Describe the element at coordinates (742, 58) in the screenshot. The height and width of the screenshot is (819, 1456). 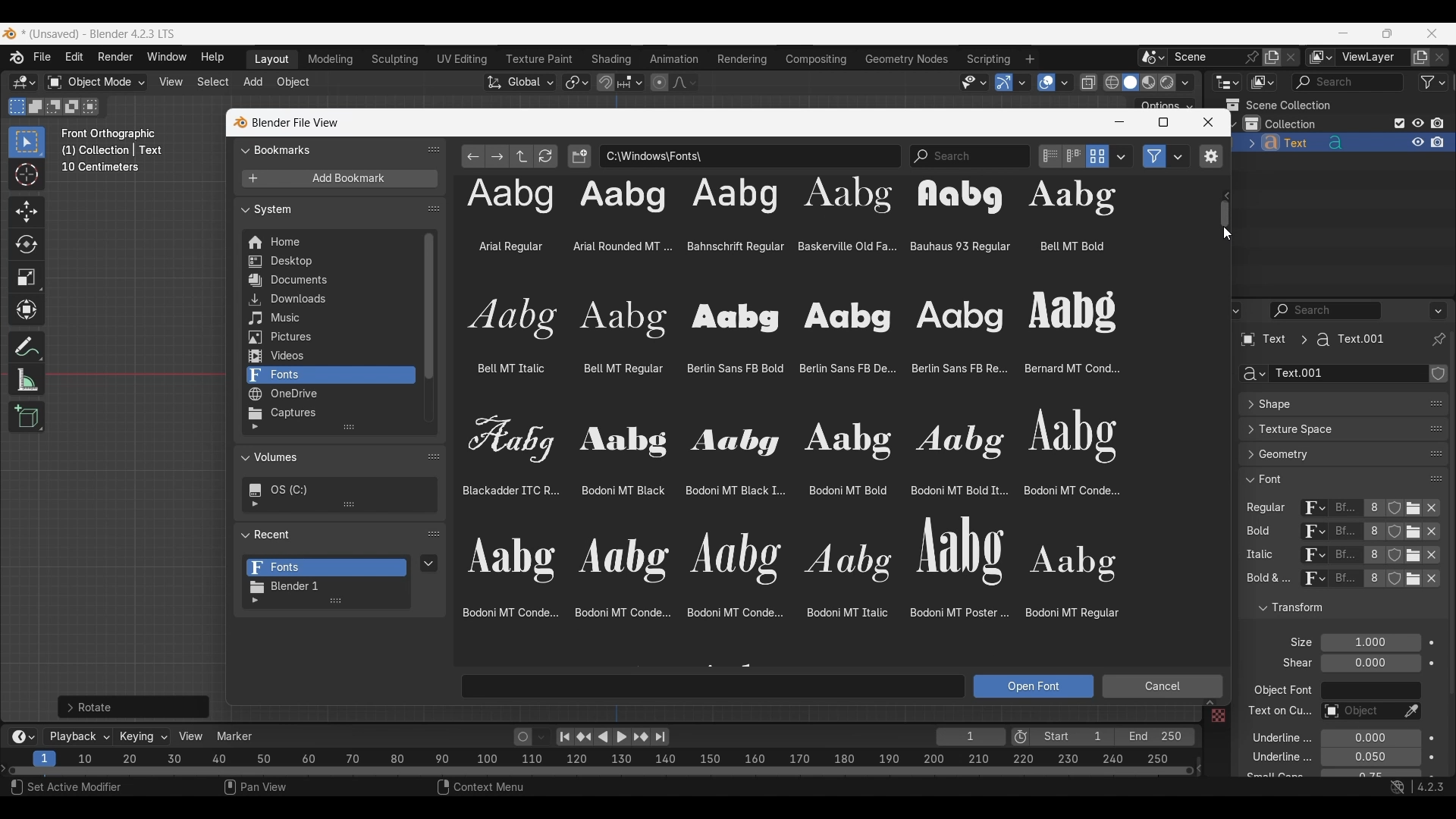
I see `Rendering workspace` at that location.